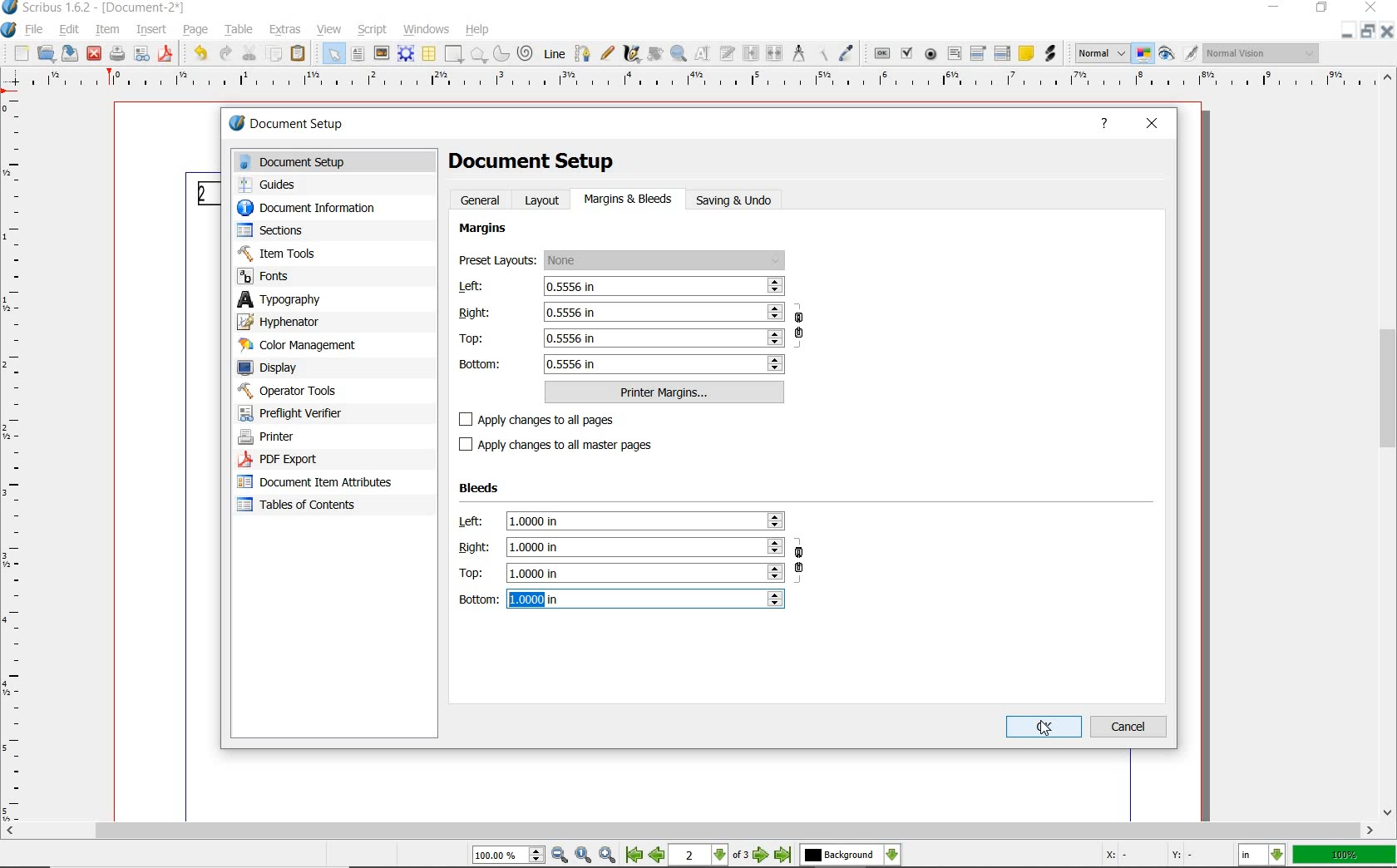 This screenshot has height=868, width=1397. I want to click on save, so click(70, 54).